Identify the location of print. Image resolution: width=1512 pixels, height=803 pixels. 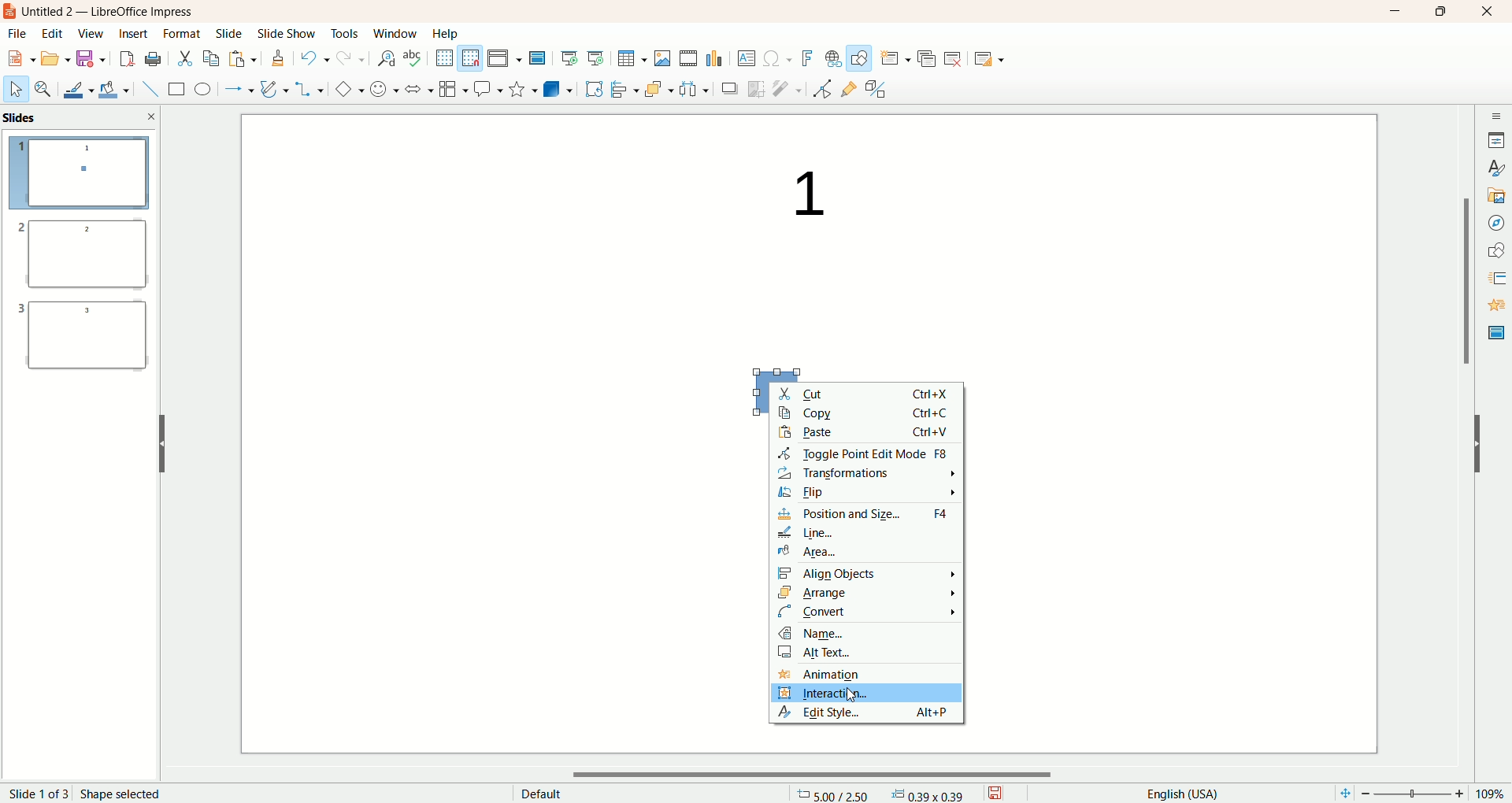
(153, 58).